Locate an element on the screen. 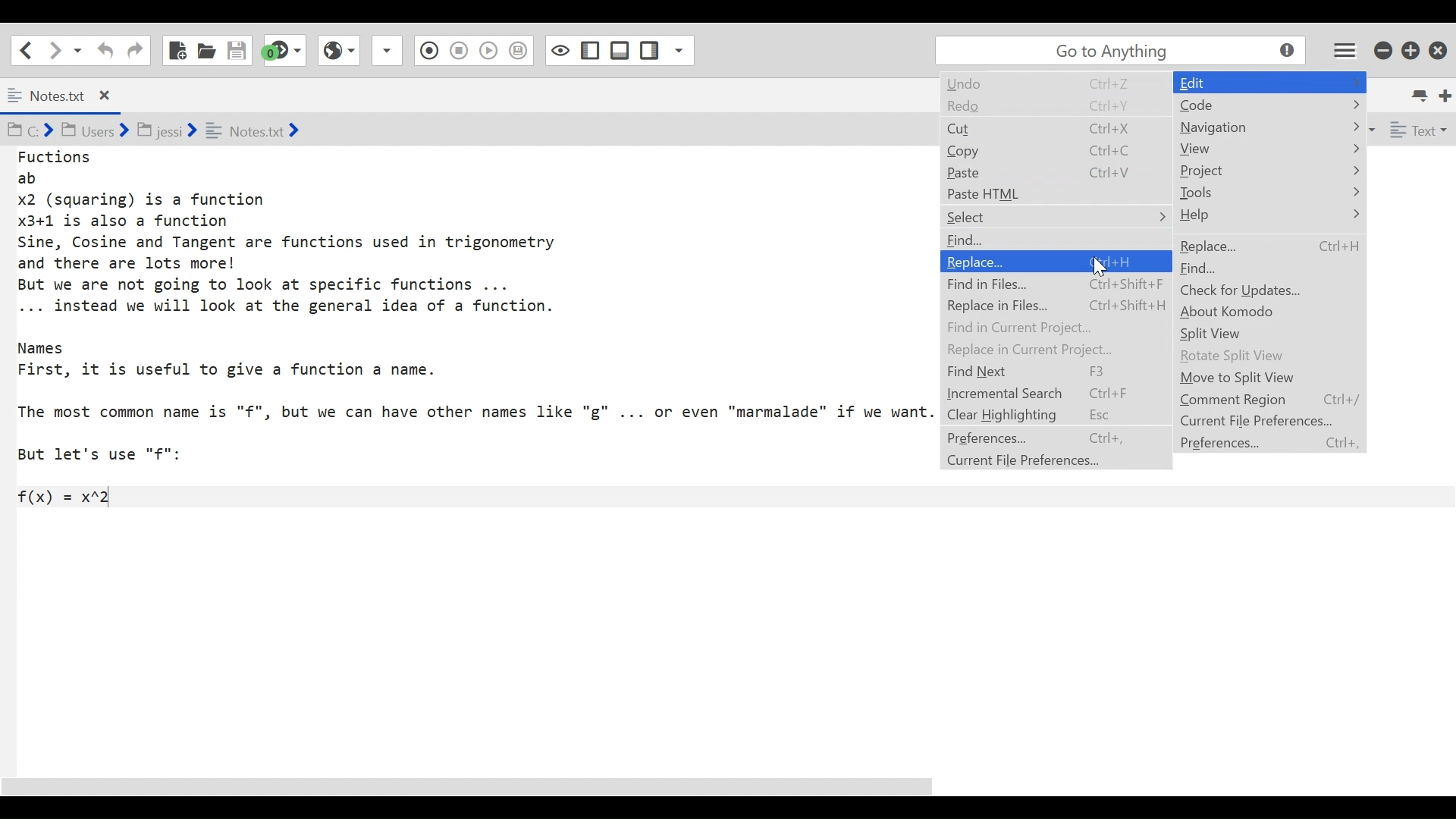 The width and height of the screenshot is (1456, 819). Find in Files is located at coordinates (1054, 283).